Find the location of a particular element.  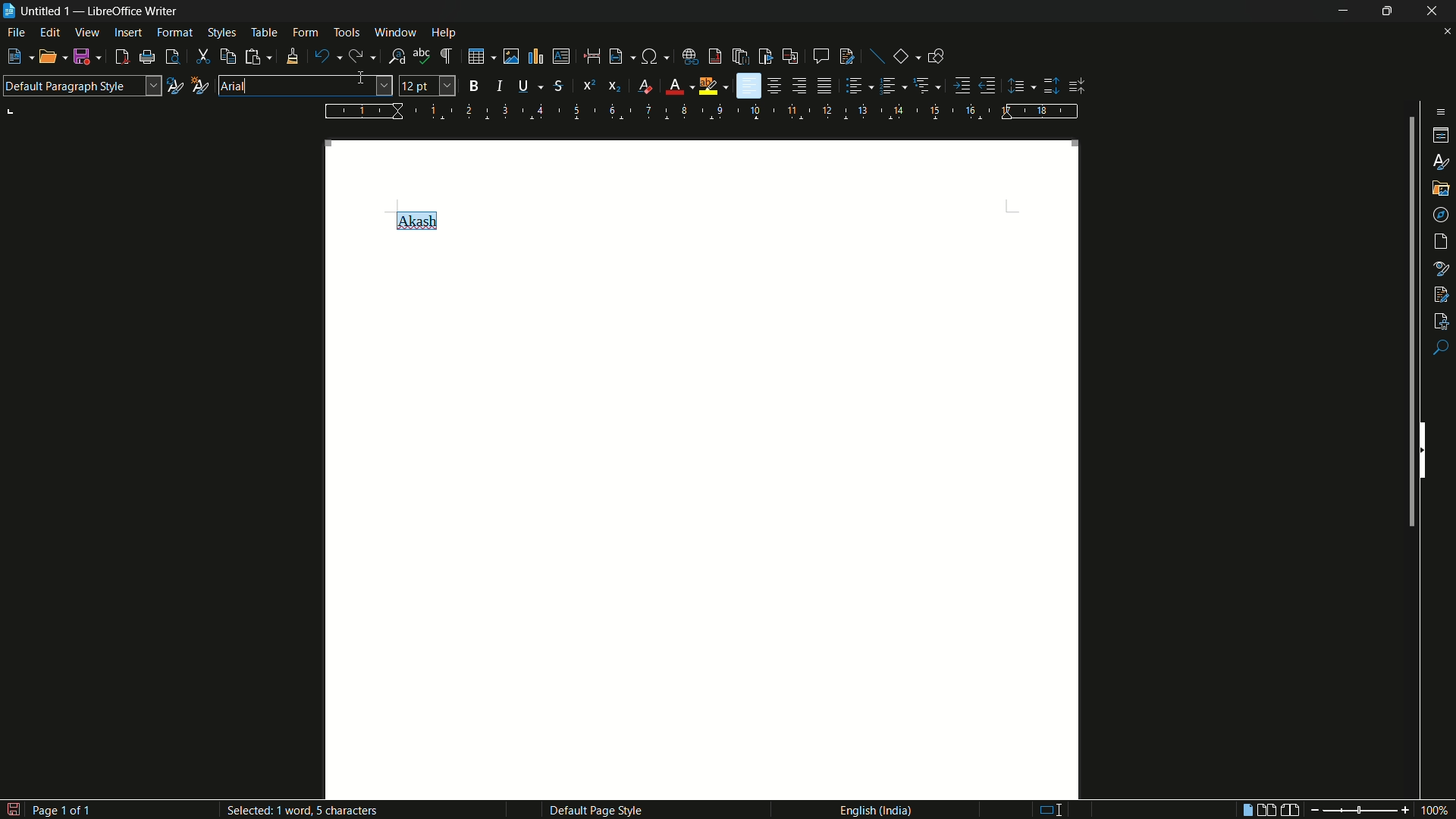

toggle print preview is located at coordinates (173, 57).